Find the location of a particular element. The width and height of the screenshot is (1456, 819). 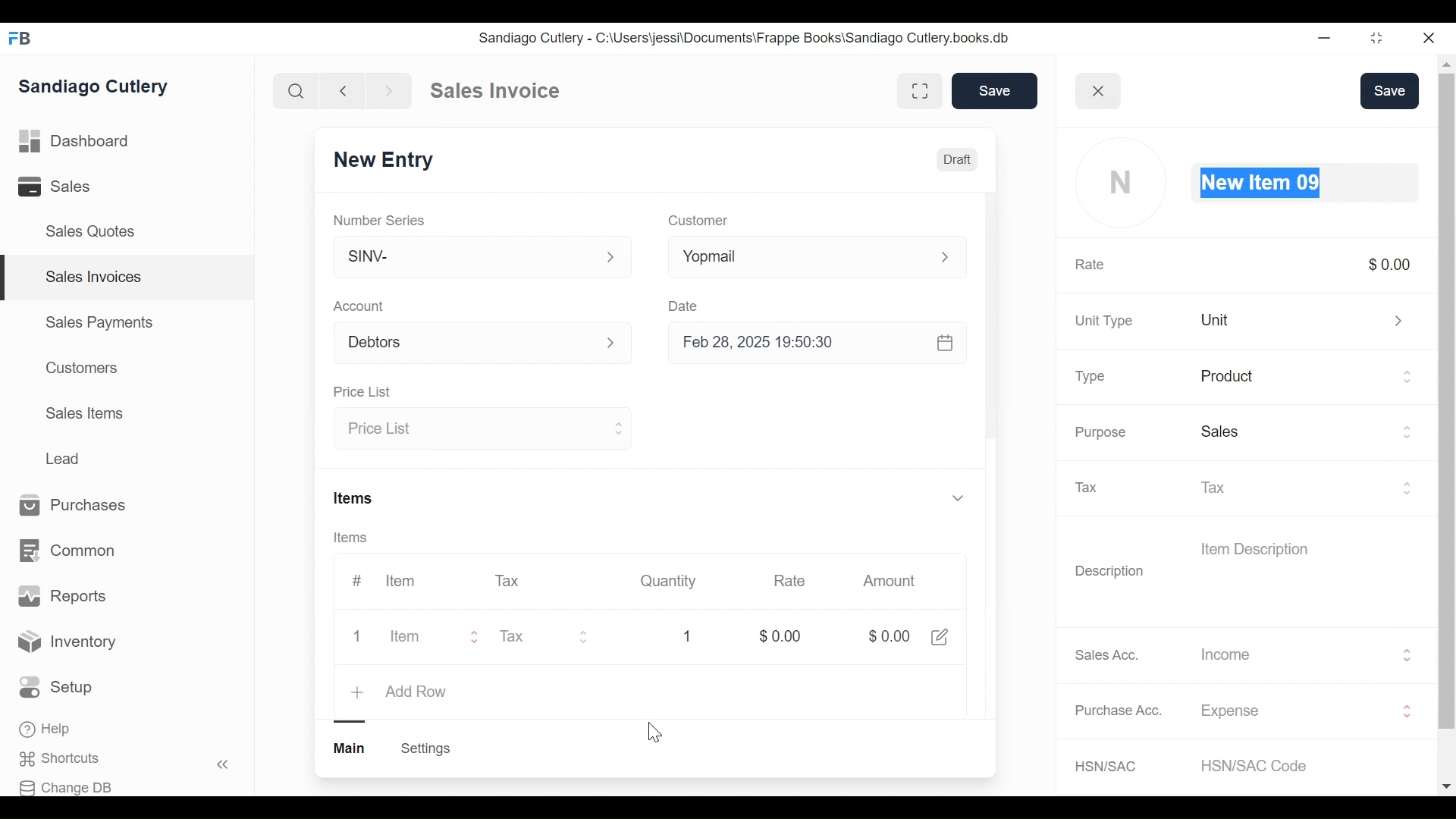

restore is located at coordinates (1376, 37).